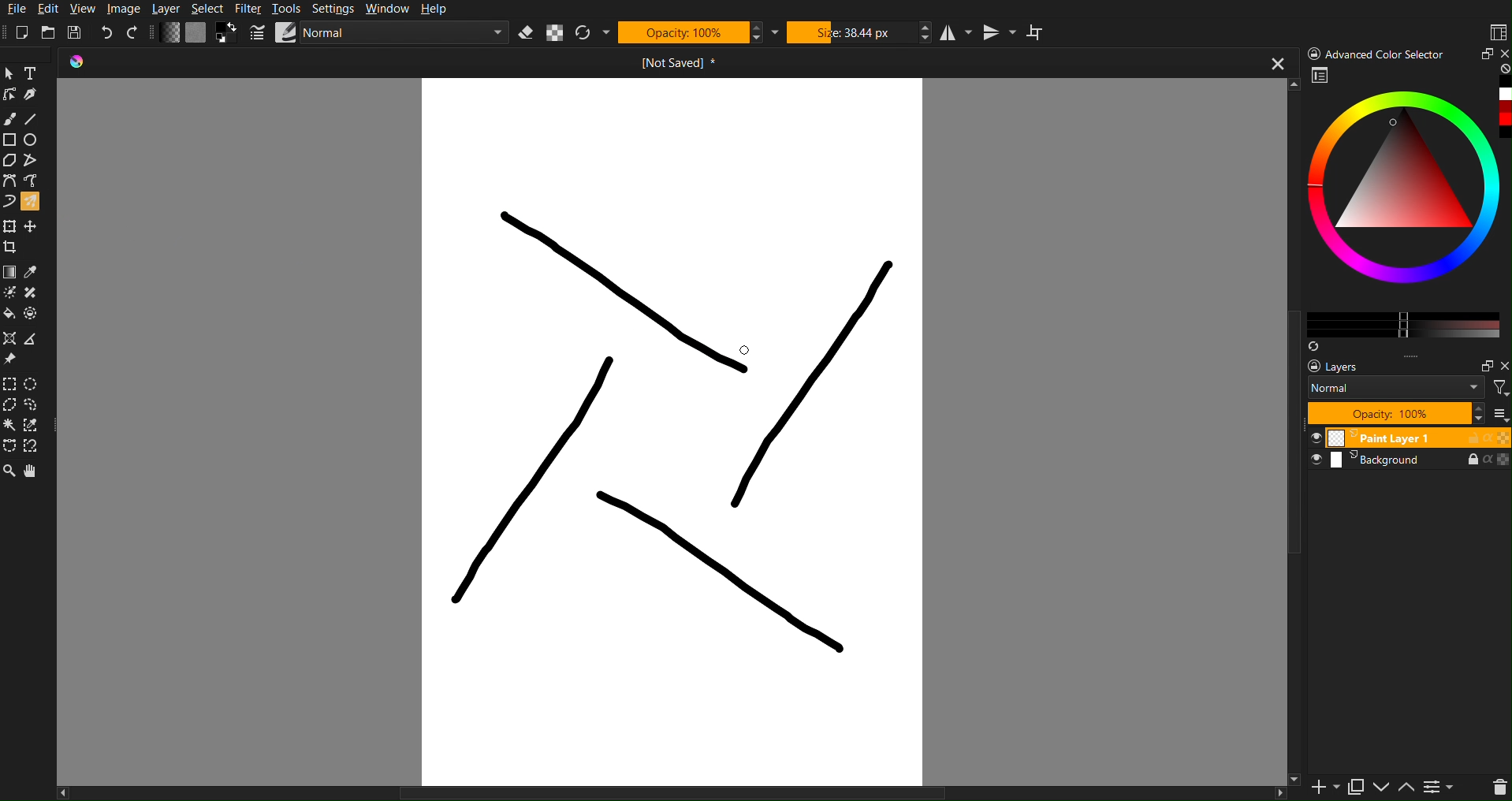 Image resolution: width=1512 pixels, height=801 pixels. What do you see at coordinates (11, 119) in the screenshot?
I see `Brush` at bounding box center [11, 119].